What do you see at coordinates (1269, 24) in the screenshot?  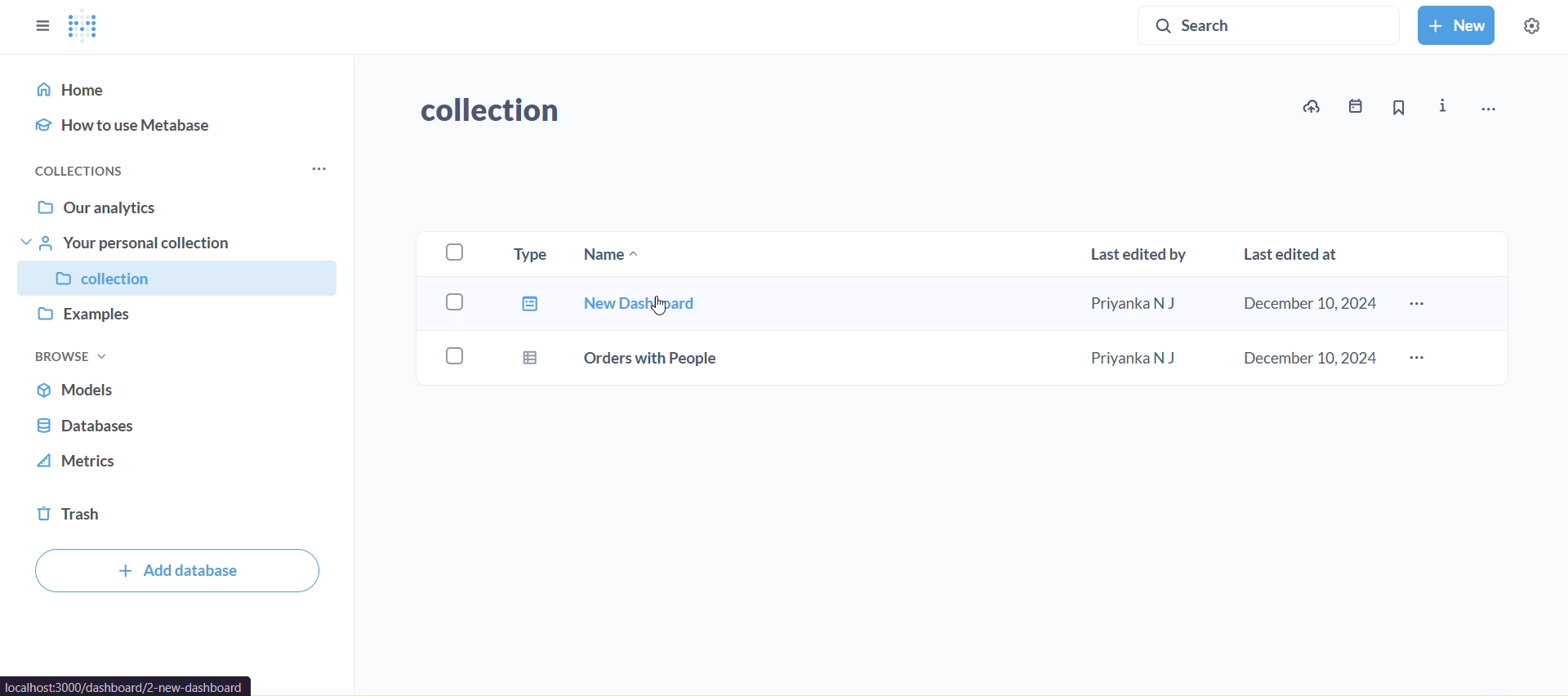 I see `search` at bounding box center [1269, 24].